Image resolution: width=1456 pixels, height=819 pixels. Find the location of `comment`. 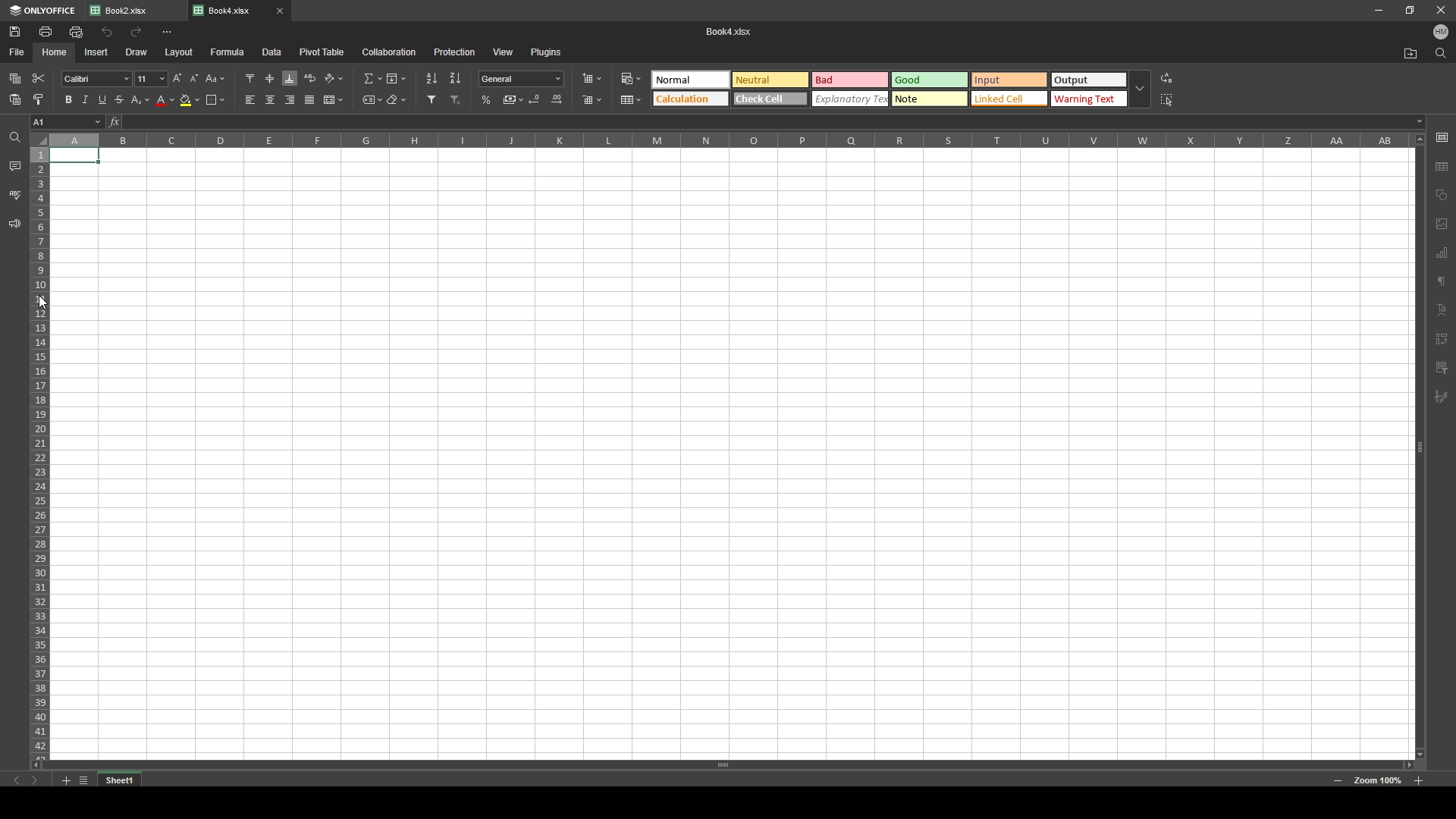

comment is located at coordinates (15, 168).